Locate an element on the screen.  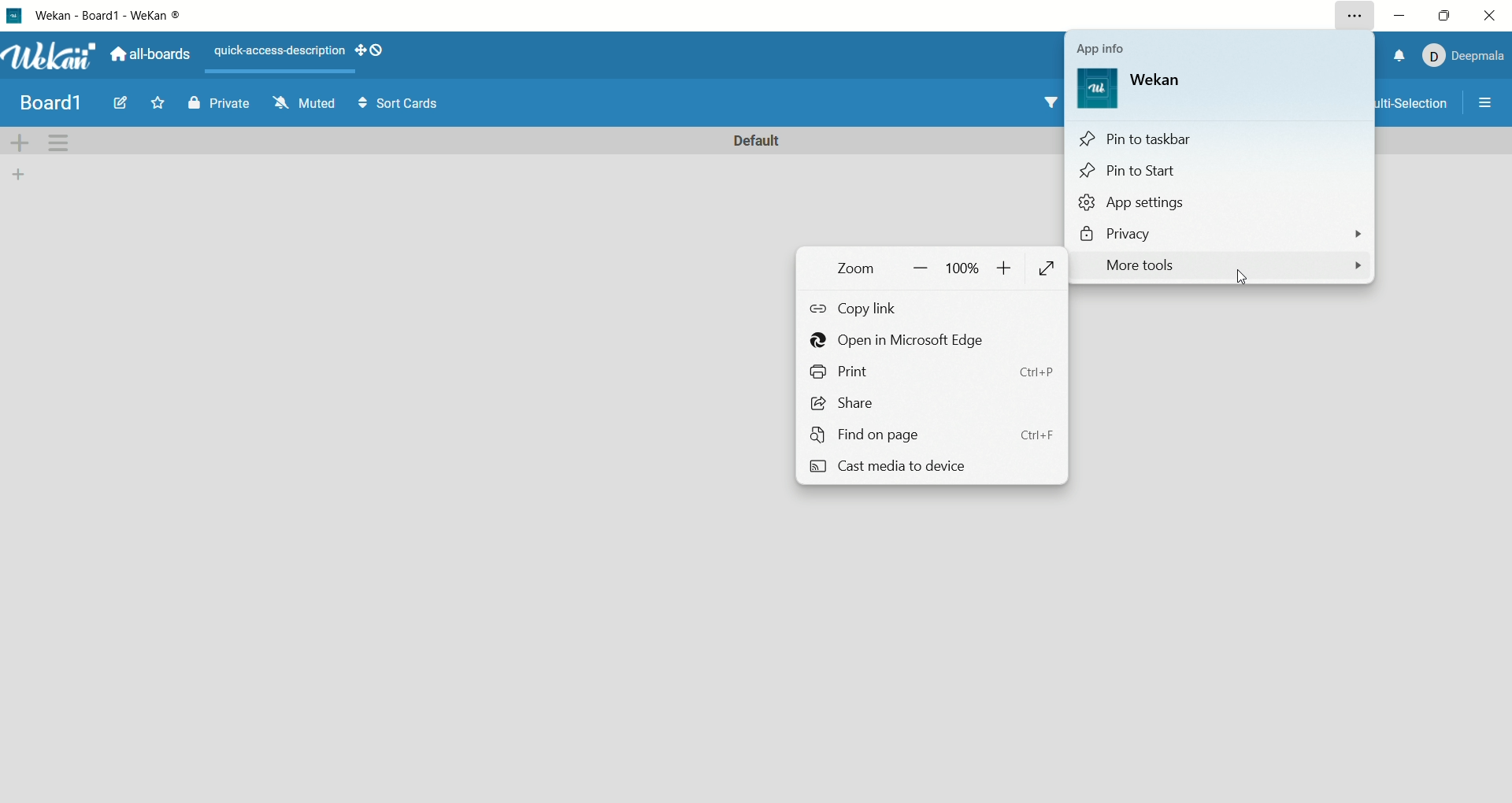
more tools is located at coordinates (1226, 268).